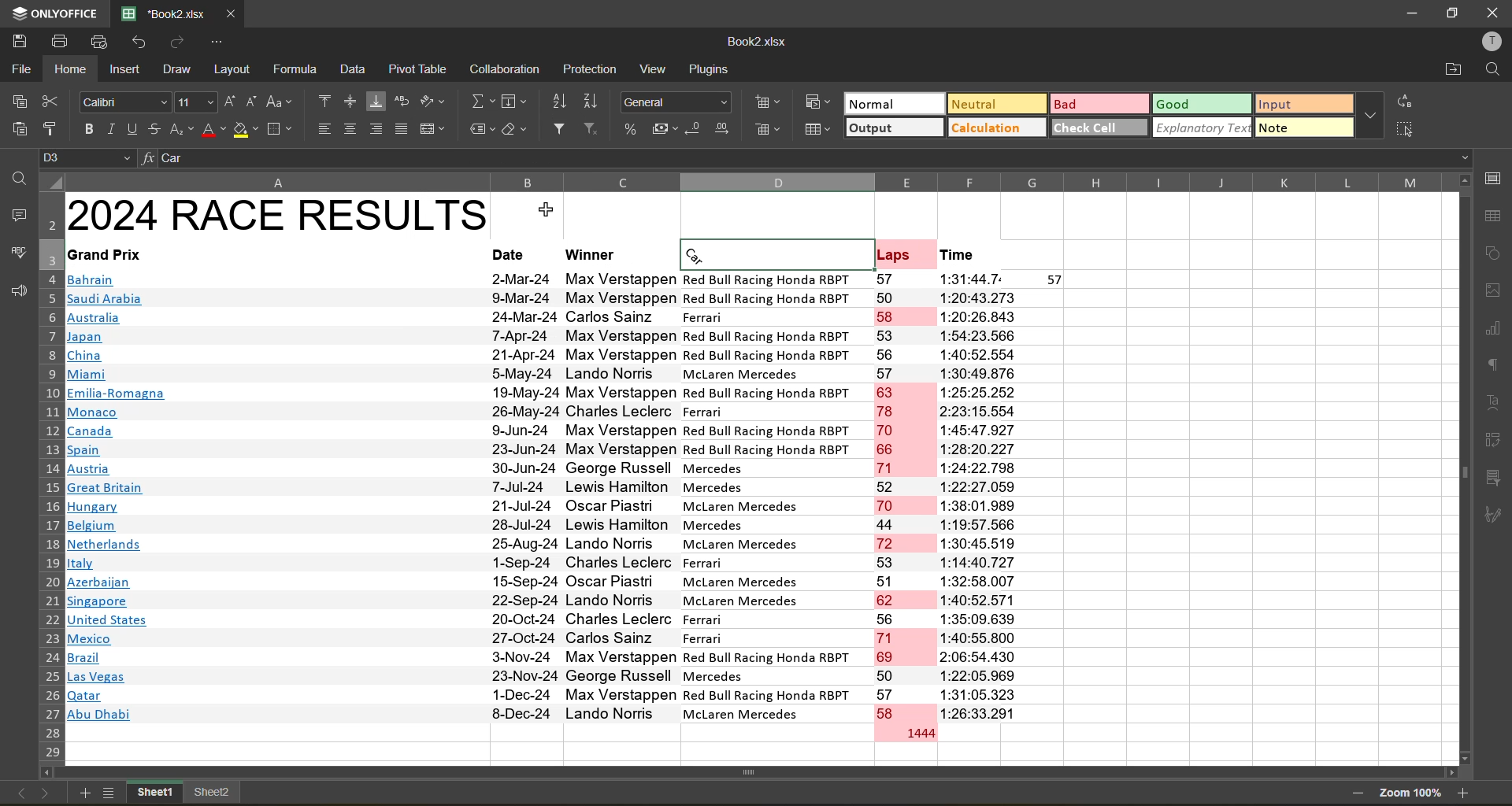 The image size is (1512, 806). Describe the element at coordinates (754, 181) in the screenshot. I see `column names` at that location.